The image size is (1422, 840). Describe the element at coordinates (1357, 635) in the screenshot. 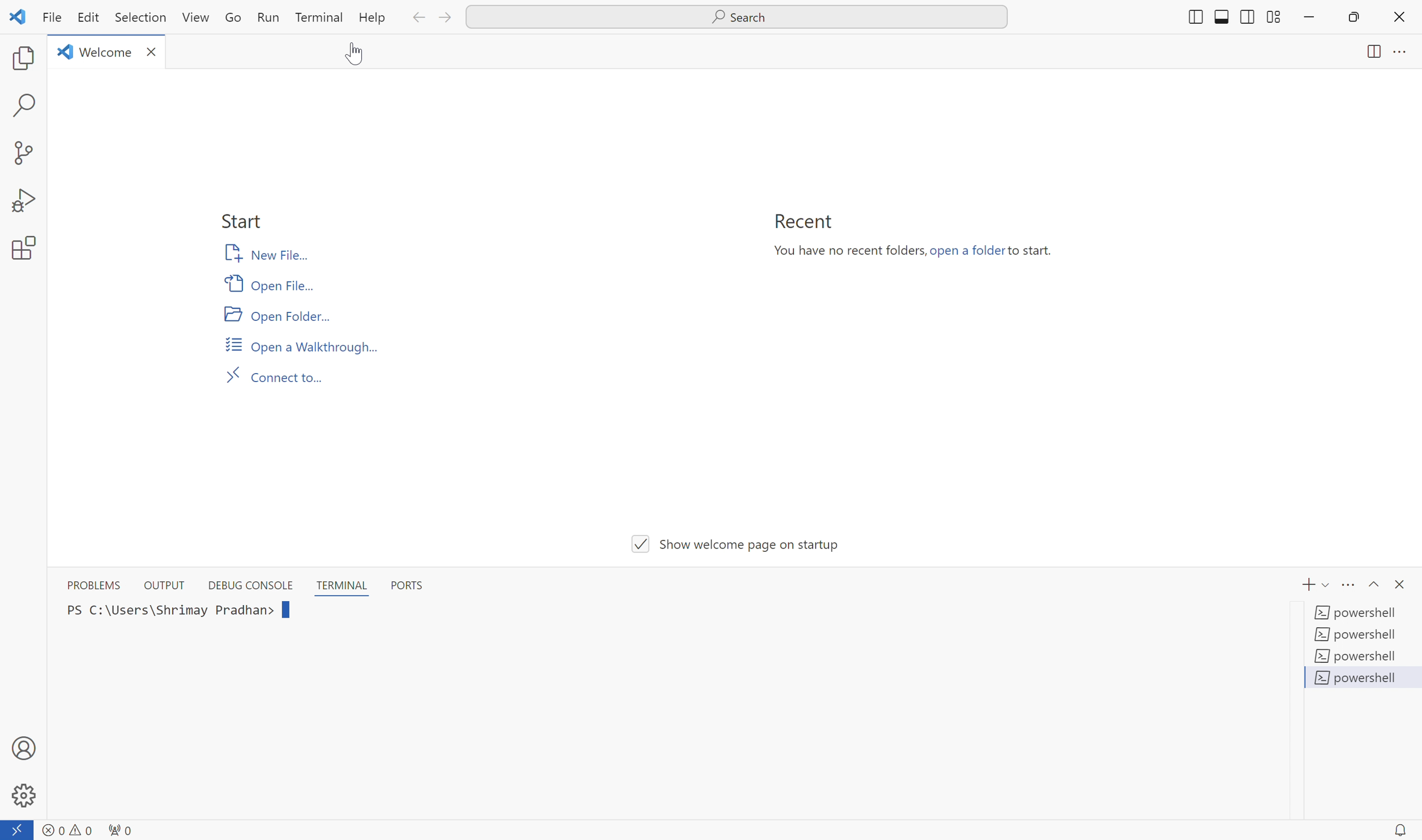

I see `powershell` at that location.